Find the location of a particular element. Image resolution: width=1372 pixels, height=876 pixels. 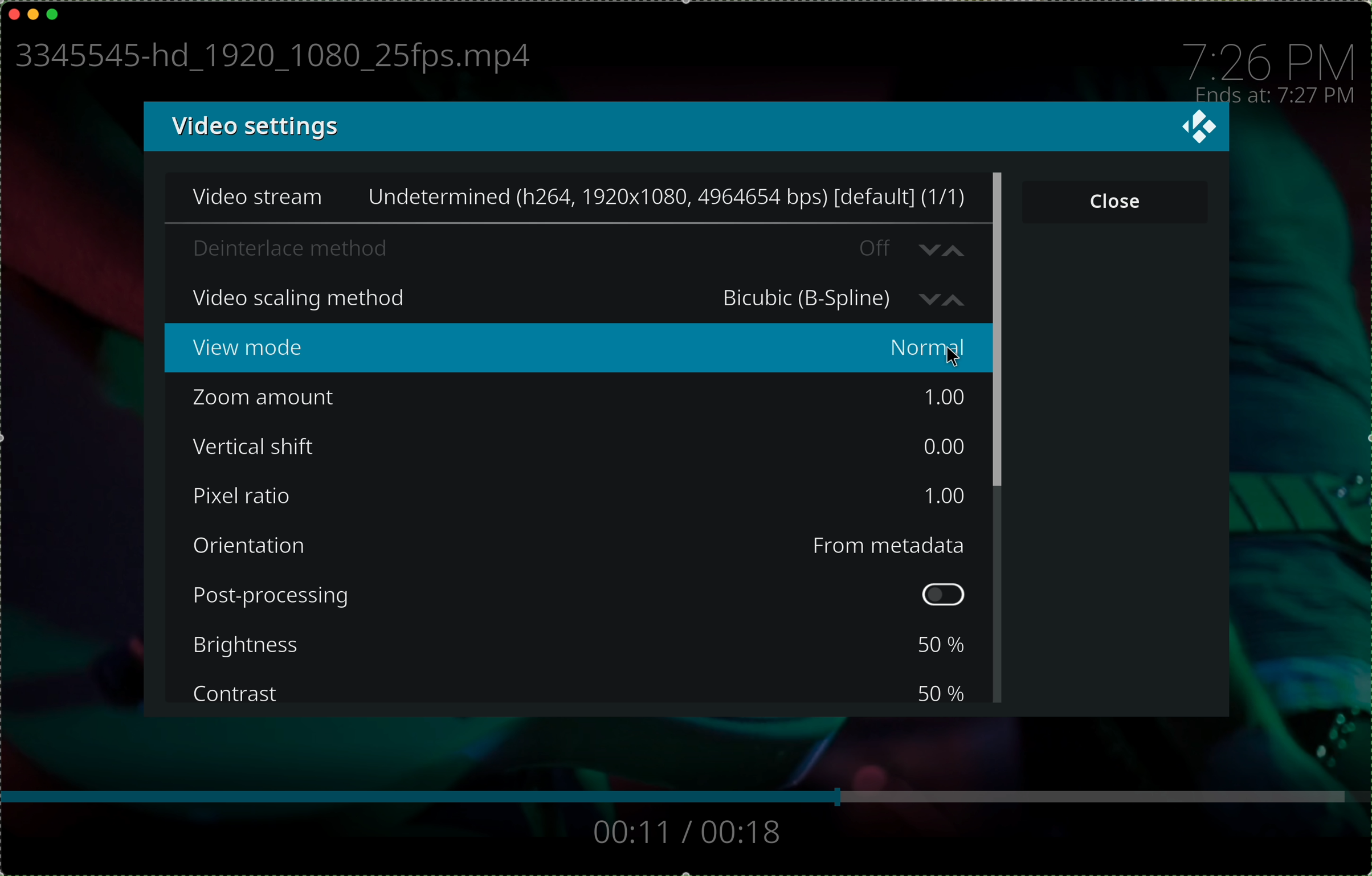

50 % is located at coordinates (939, 645).